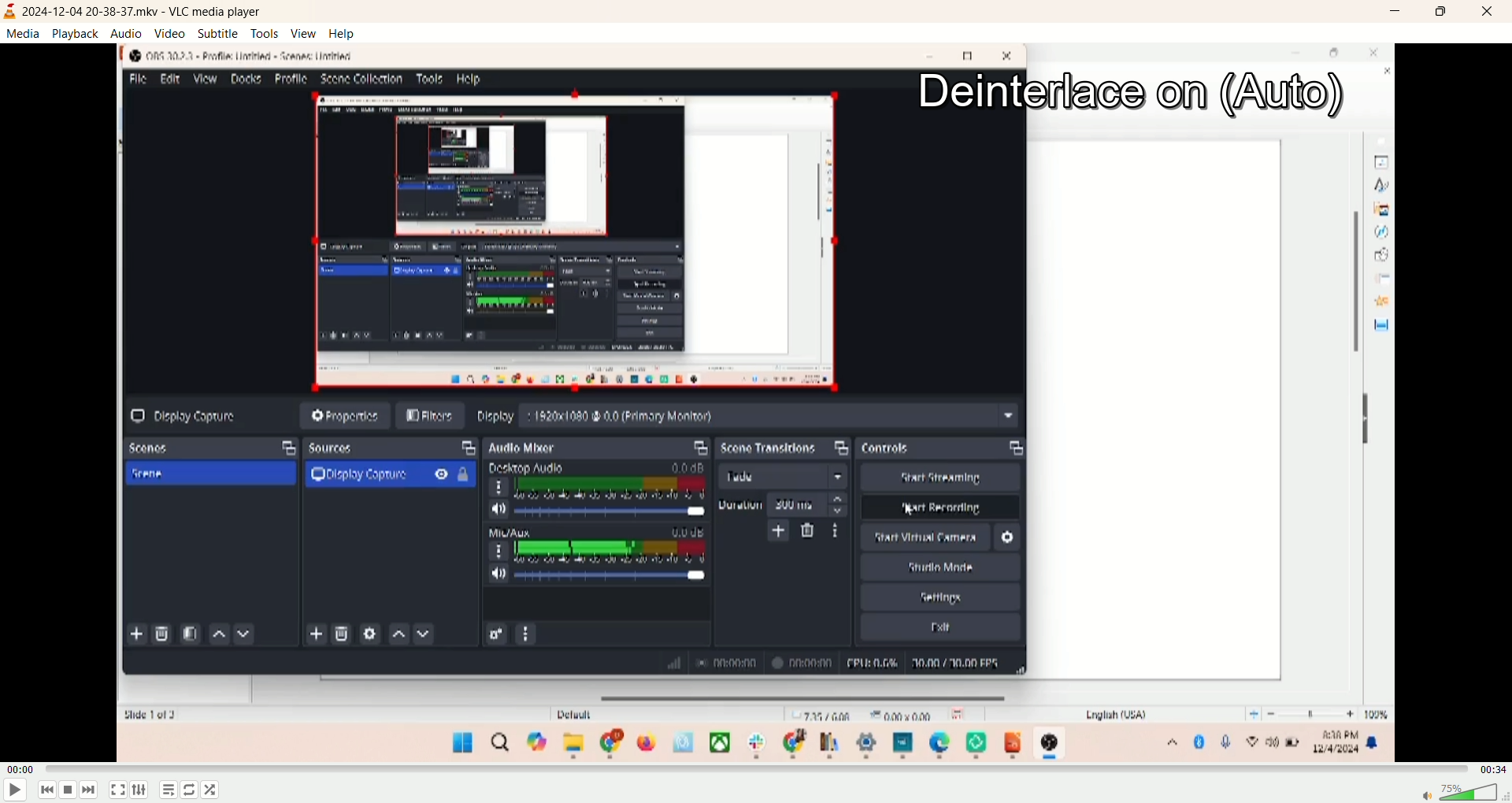 This screenshot has height=803, width=1512. What do you see at coordinates (1493, 767) in the screenshot?
I see `total time` at bounding box center [1493, 767].